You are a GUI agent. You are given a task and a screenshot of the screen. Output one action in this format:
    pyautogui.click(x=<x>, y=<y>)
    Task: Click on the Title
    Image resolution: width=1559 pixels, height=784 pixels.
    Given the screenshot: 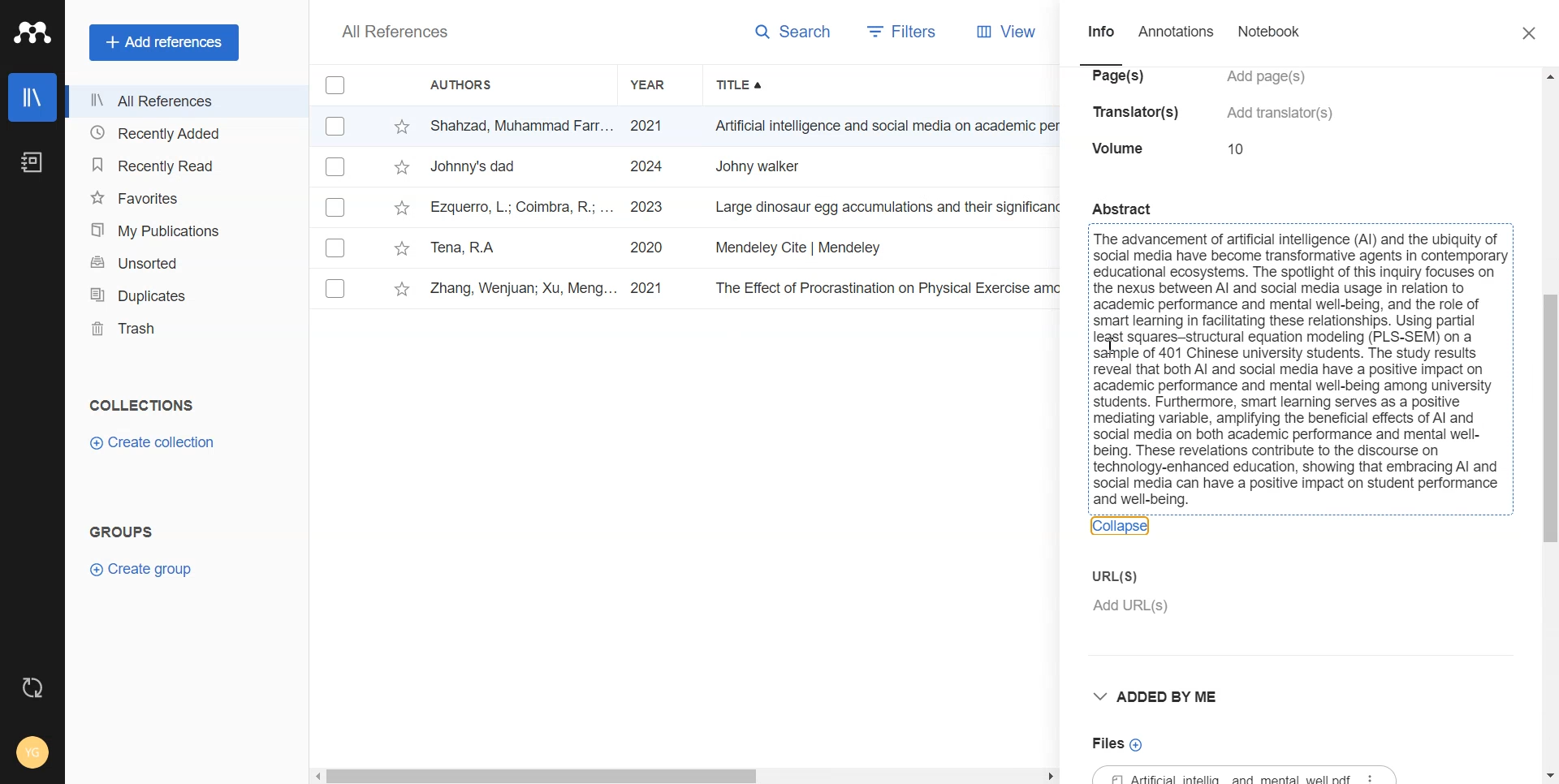 What is the action you would take?
    pyautogui.click(x=749, y=86)
    